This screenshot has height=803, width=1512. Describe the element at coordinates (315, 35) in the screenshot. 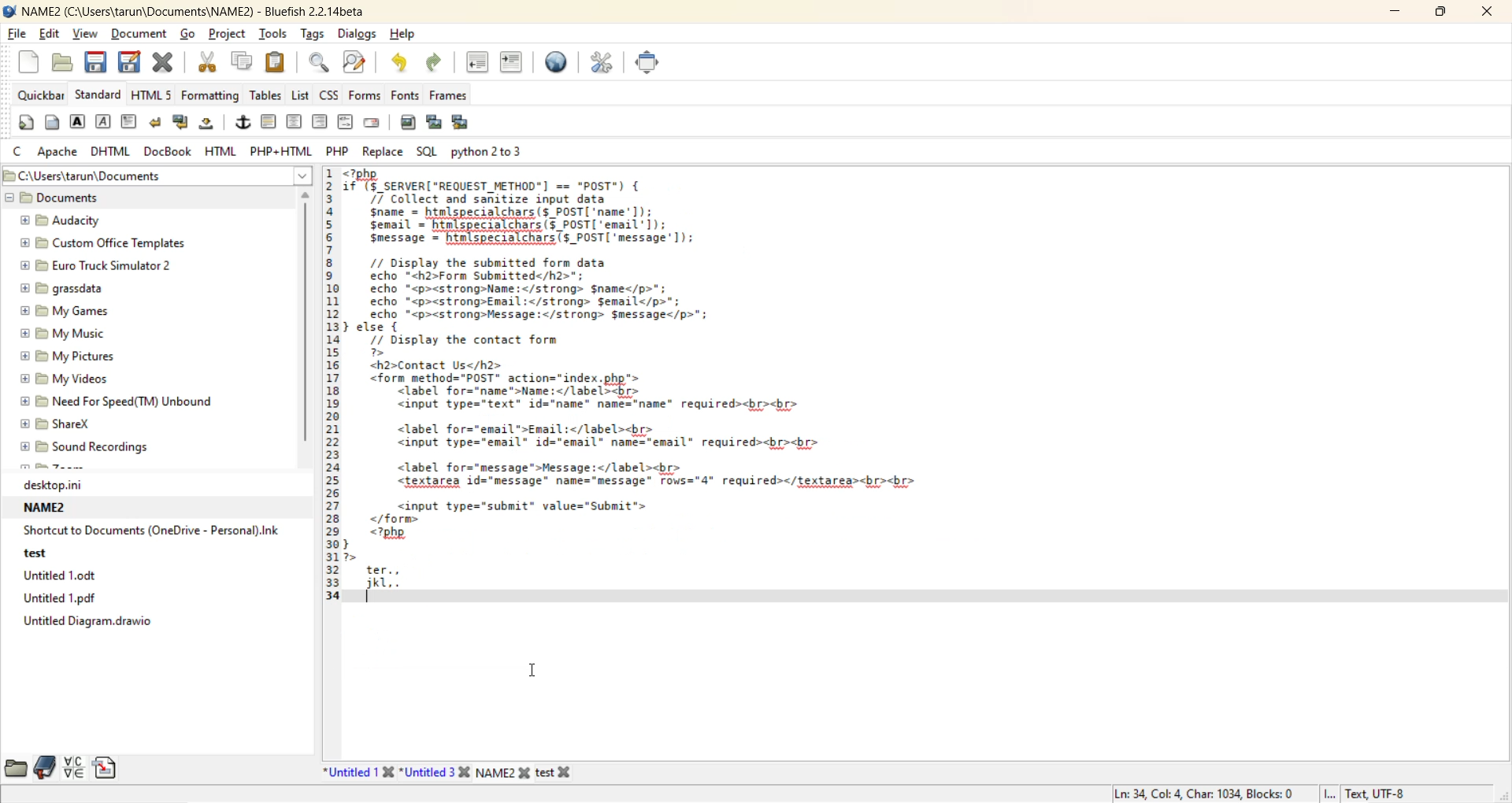

I see `tags` at that location.